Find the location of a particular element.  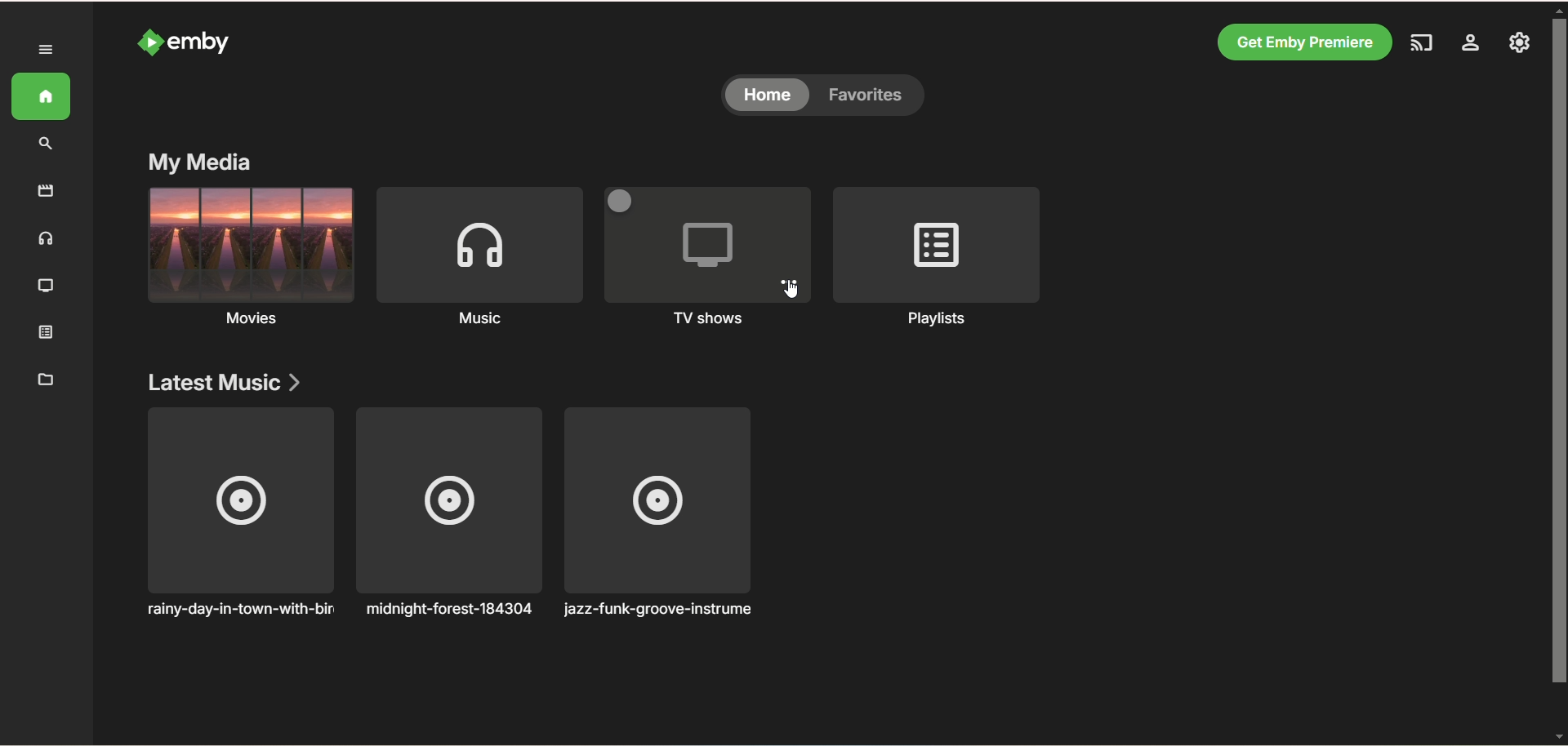

TV shows is located at coordinates (47, 287).